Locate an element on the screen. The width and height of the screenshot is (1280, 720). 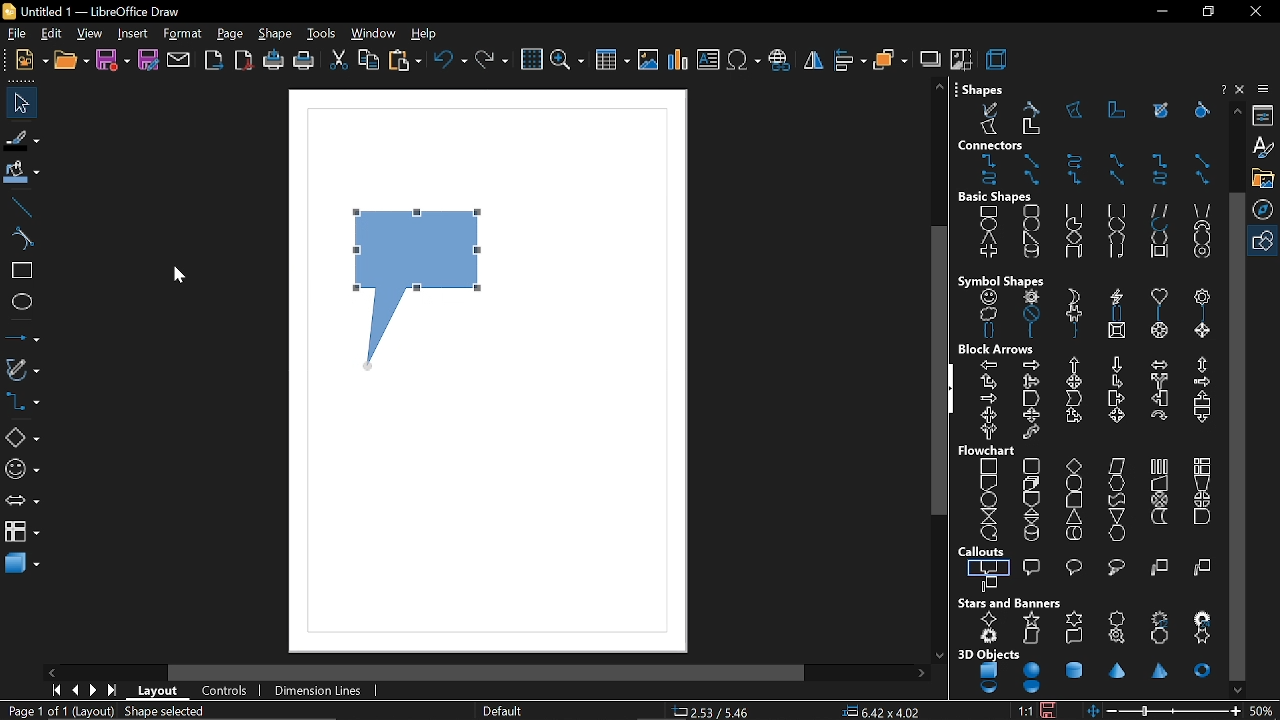
curved connector with arrows is located at coordinates (1161, 179).